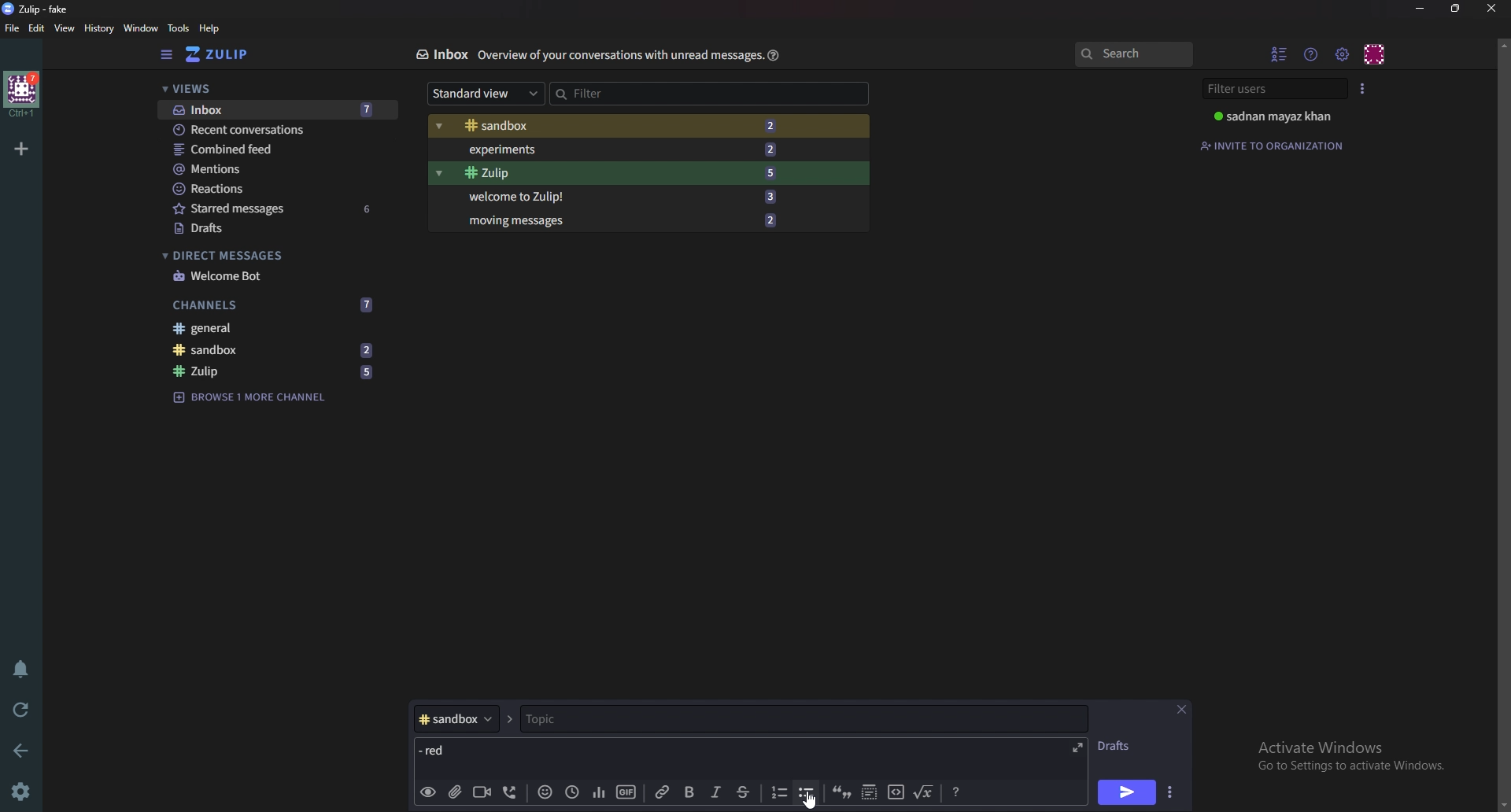  Describe the element at coordinates (896, 791) in the screenshot. I see `code` at that location.